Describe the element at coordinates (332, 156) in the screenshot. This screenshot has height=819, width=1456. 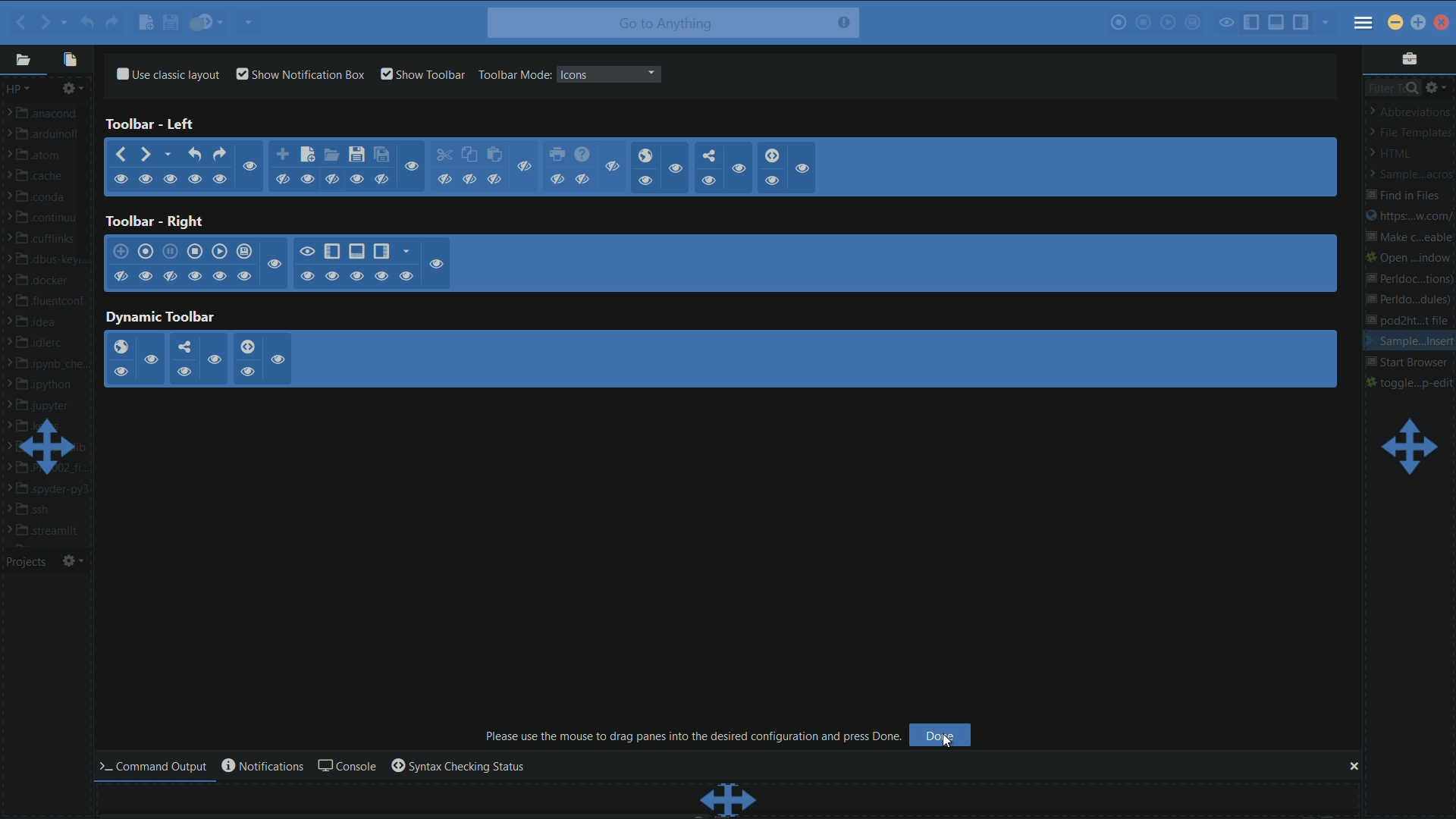
I see `open file` at that location.